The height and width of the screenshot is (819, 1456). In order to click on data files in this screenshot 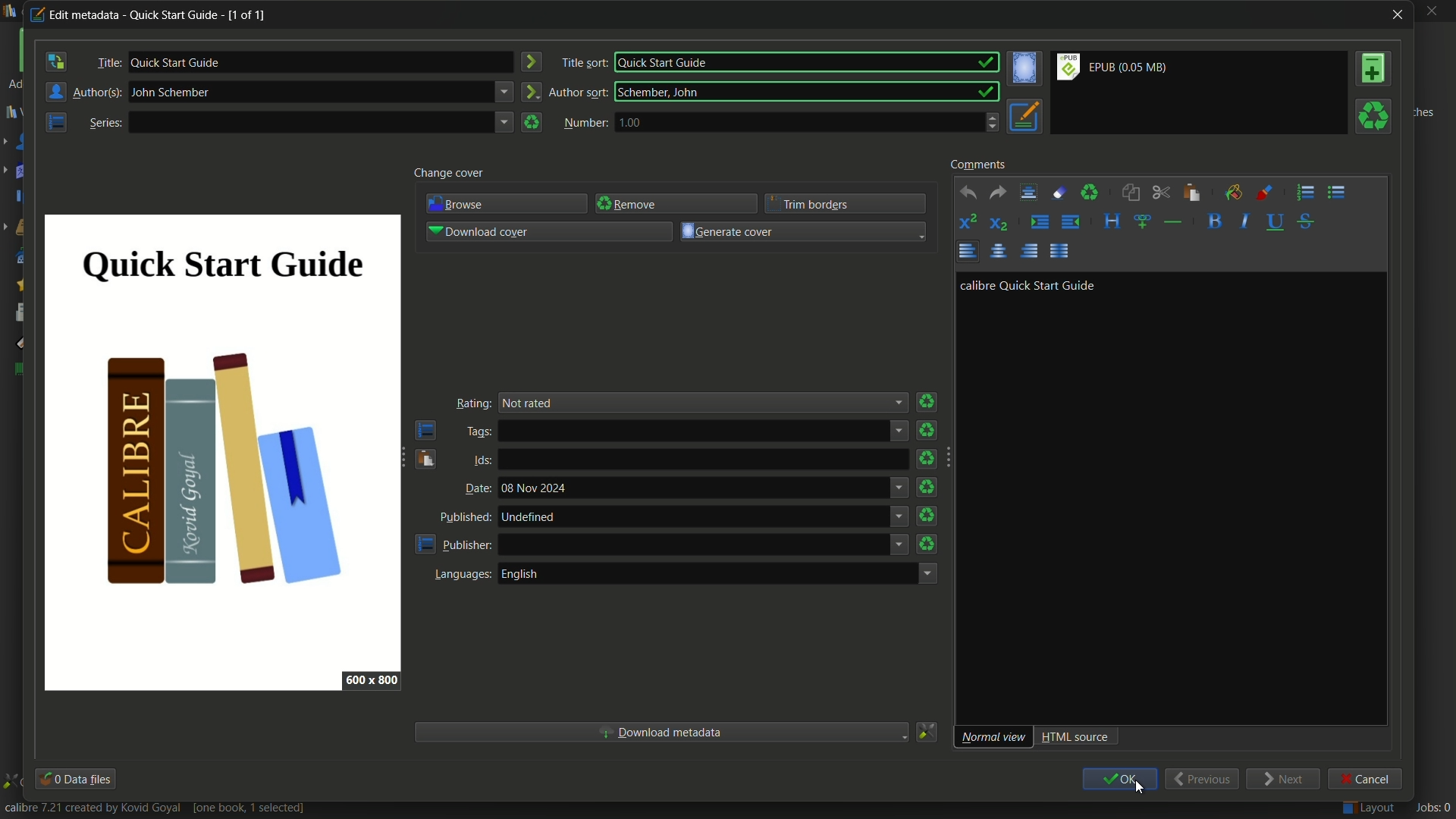, I will do `click(77, 777)`.